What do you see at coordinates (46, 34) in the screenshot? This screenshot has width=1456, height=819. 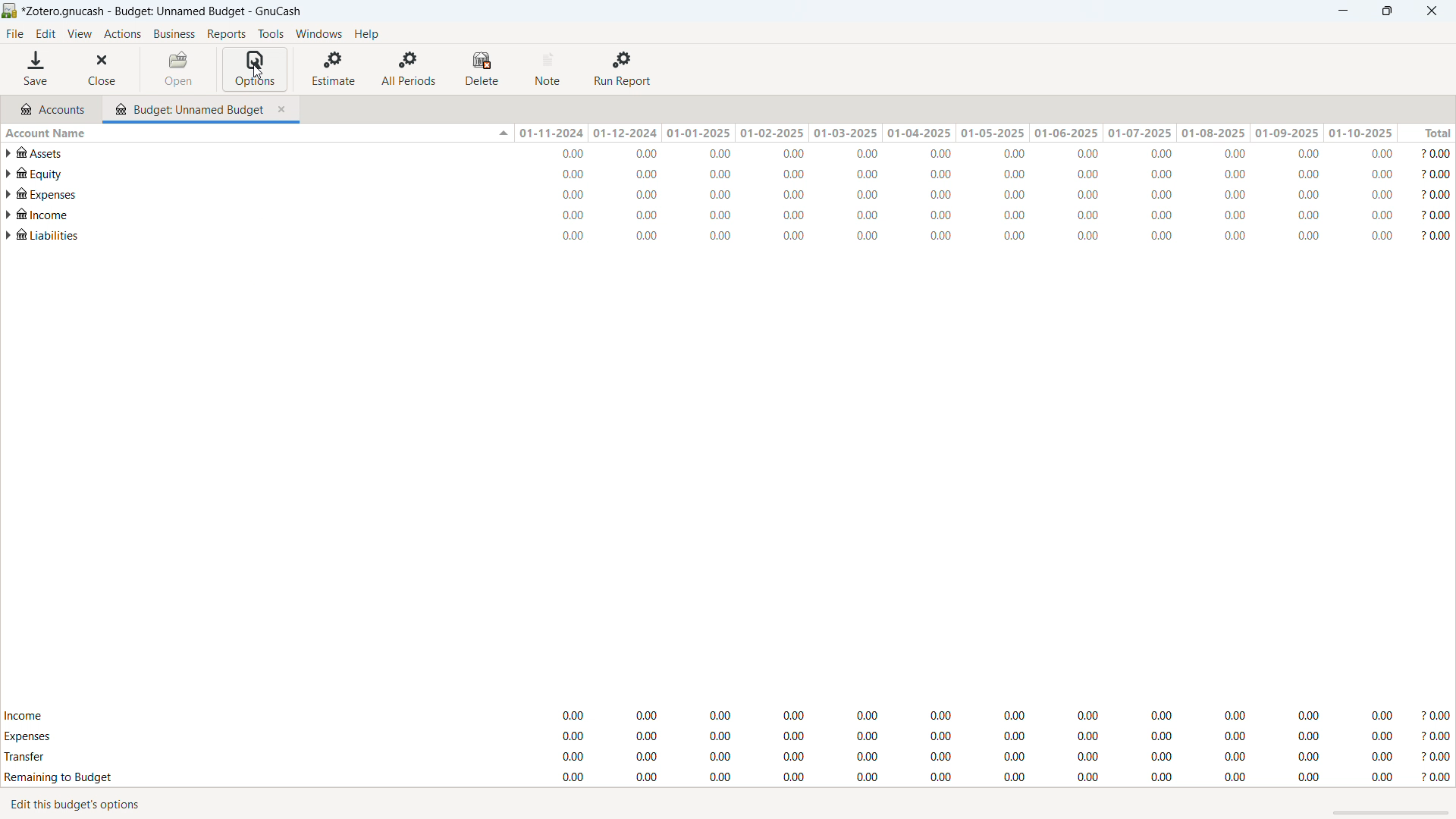 I see `edit` at bounding box center [46, 34].